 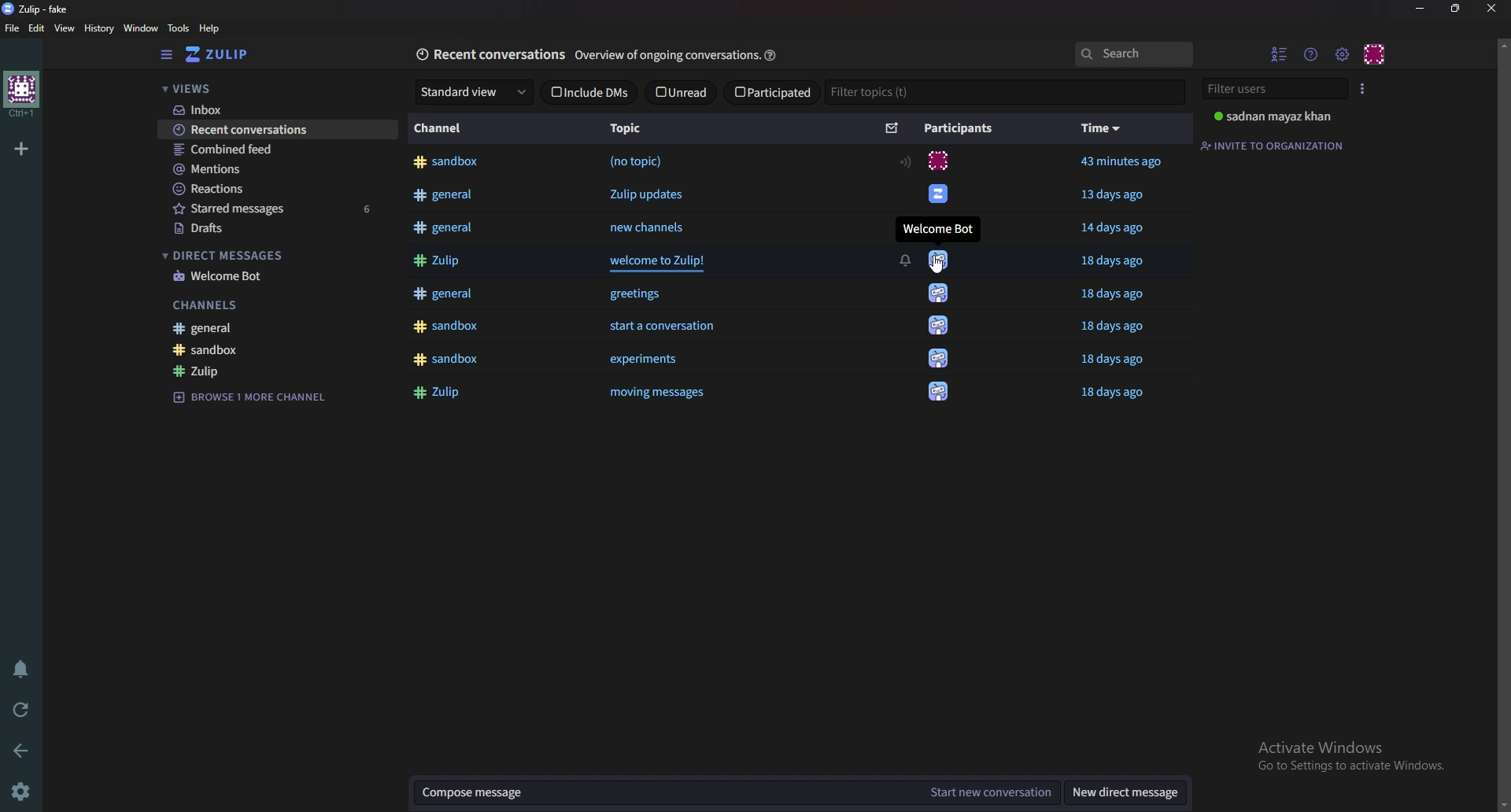 What do you see at coordinates (37, 28) in the screenshot?
I see `Edit` at bounding box center [37, 28].